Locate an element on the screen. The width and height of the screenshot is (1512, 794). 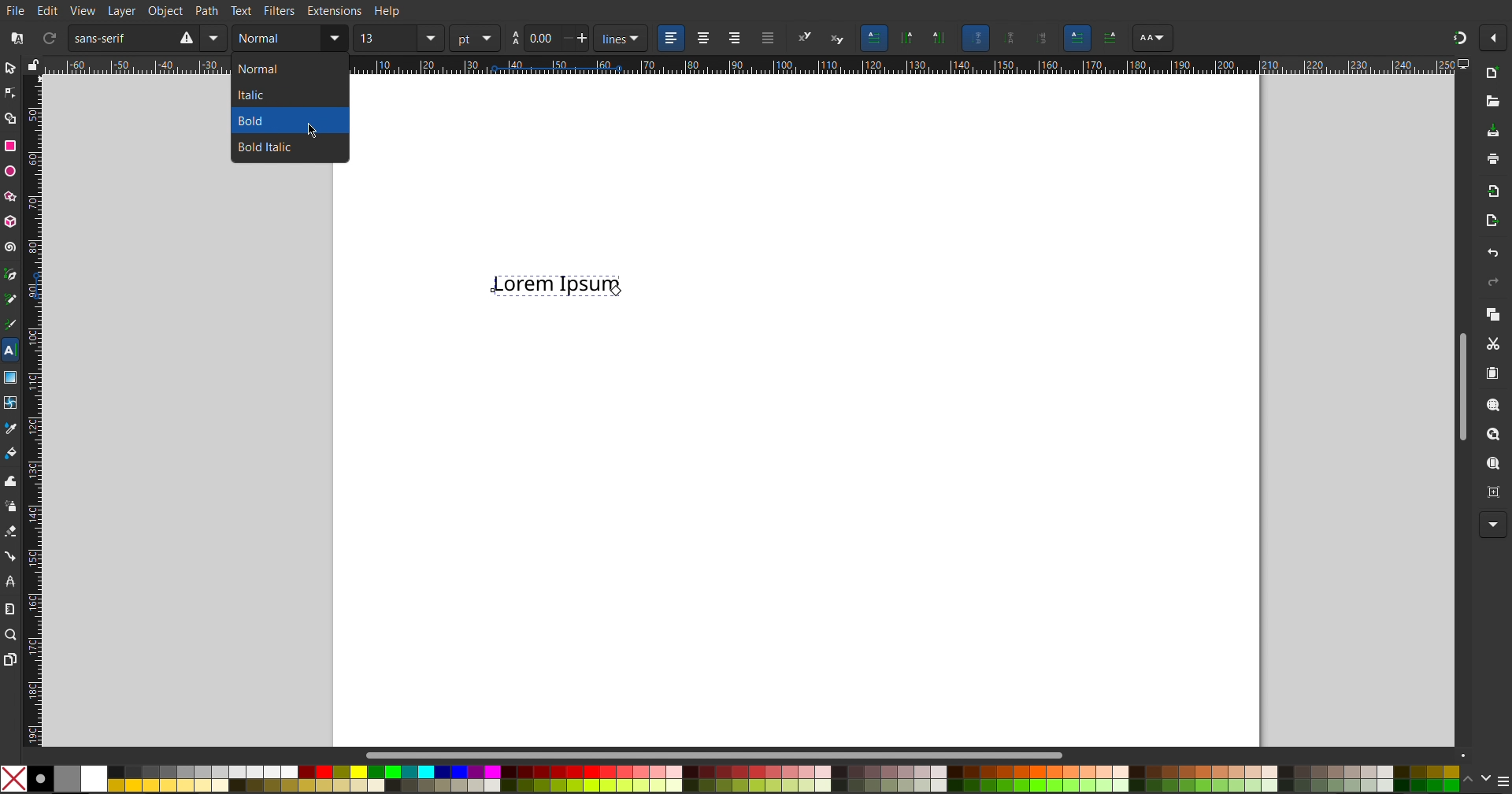
Extensions is located at coordinates (336, 11).